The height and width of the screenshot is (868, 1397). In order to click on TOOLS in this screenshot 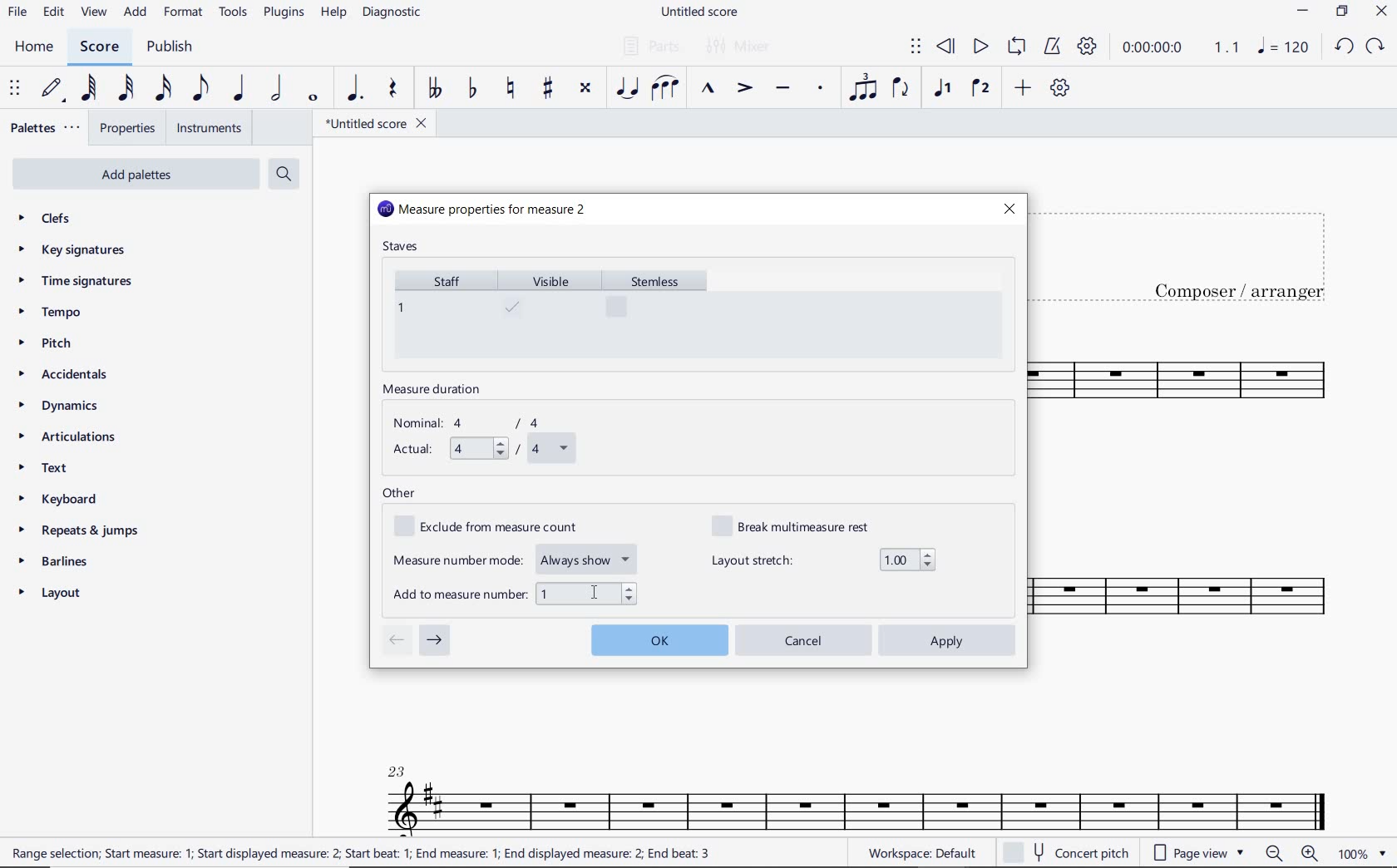, I will do `click(234, 15)`.